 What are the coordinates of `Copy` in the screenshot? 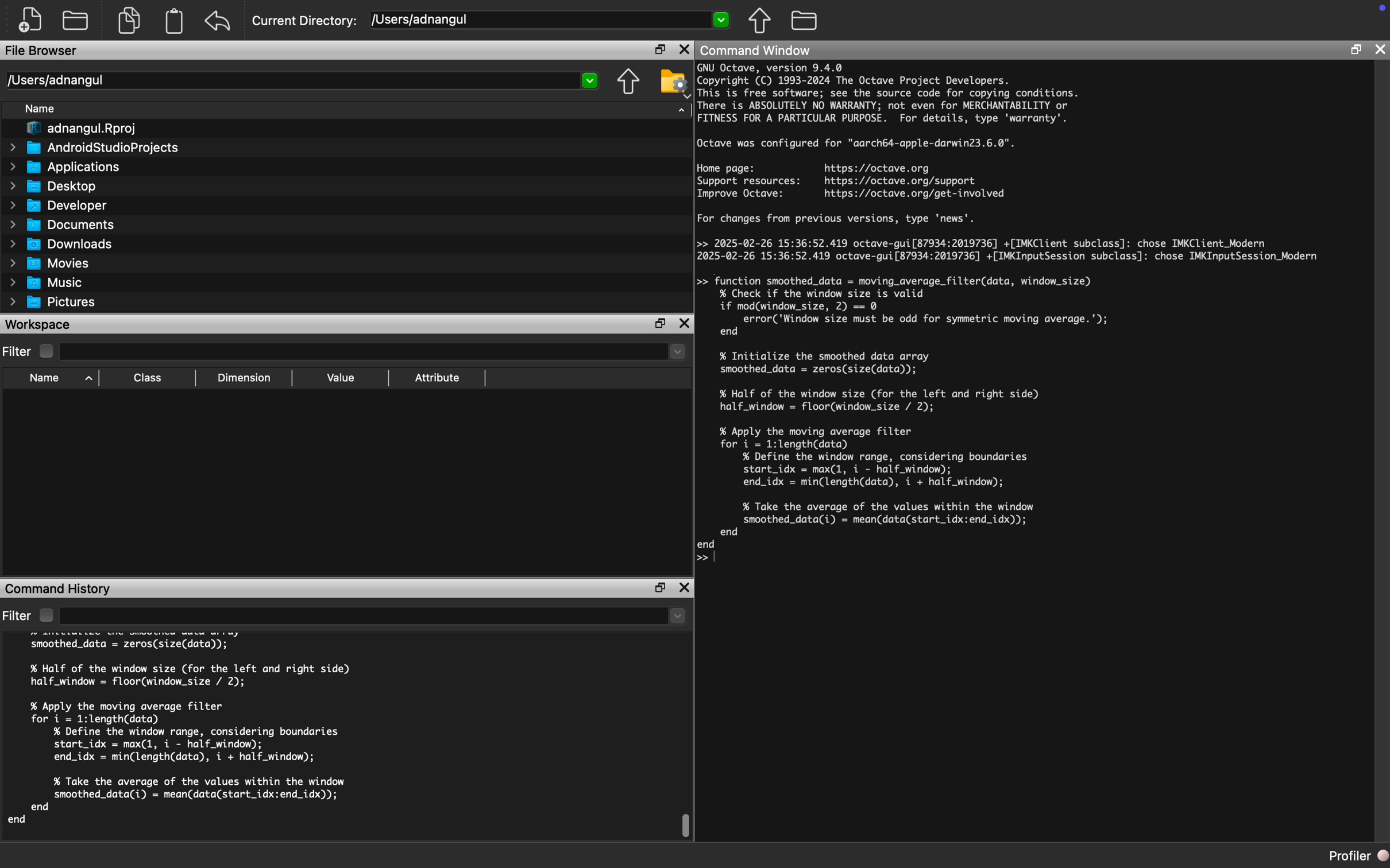 It's located at (129, 21).